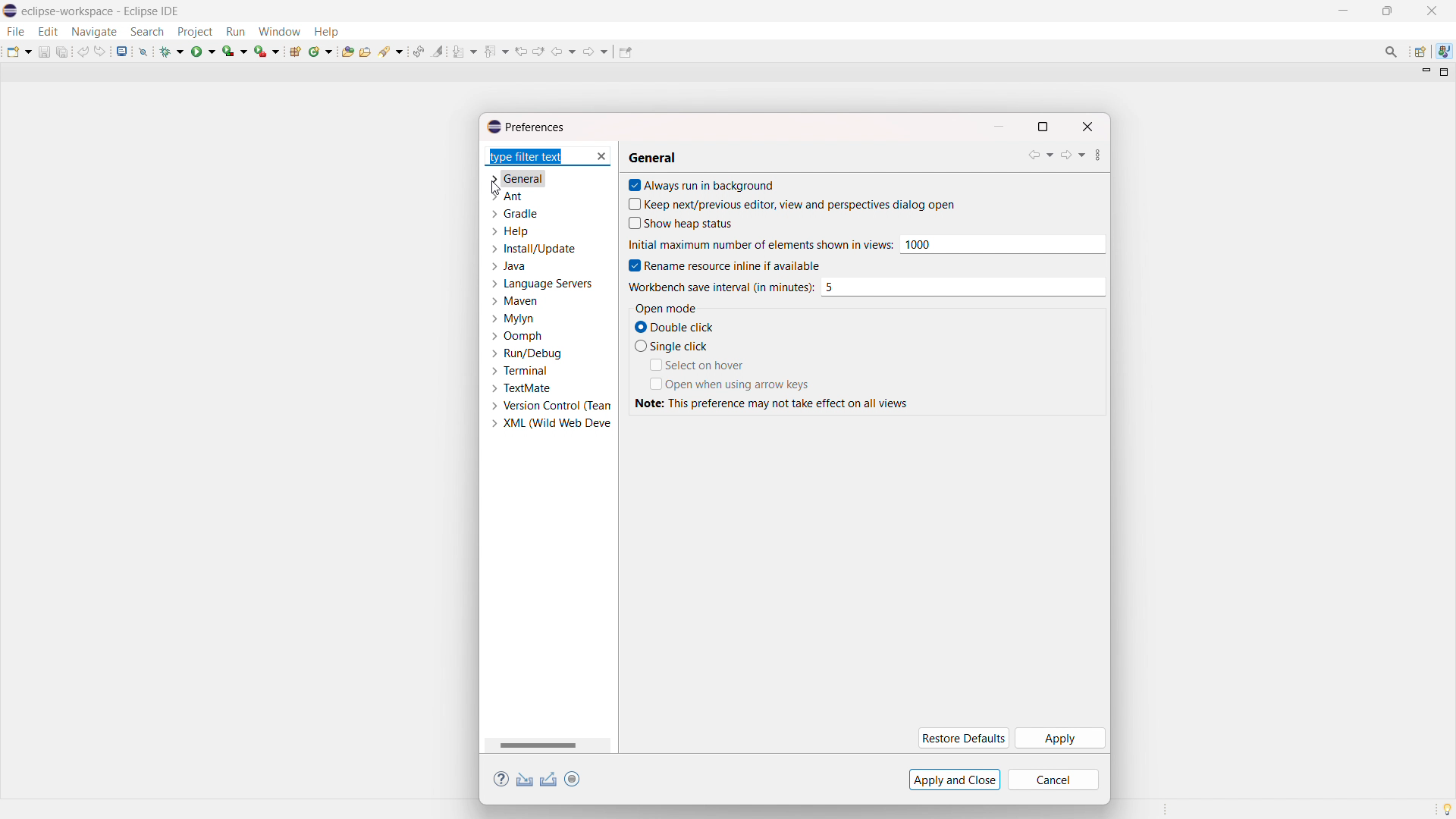  Describe the element at coordinates (1419, 52) in the screenshot. I see `open perspective` at that location.